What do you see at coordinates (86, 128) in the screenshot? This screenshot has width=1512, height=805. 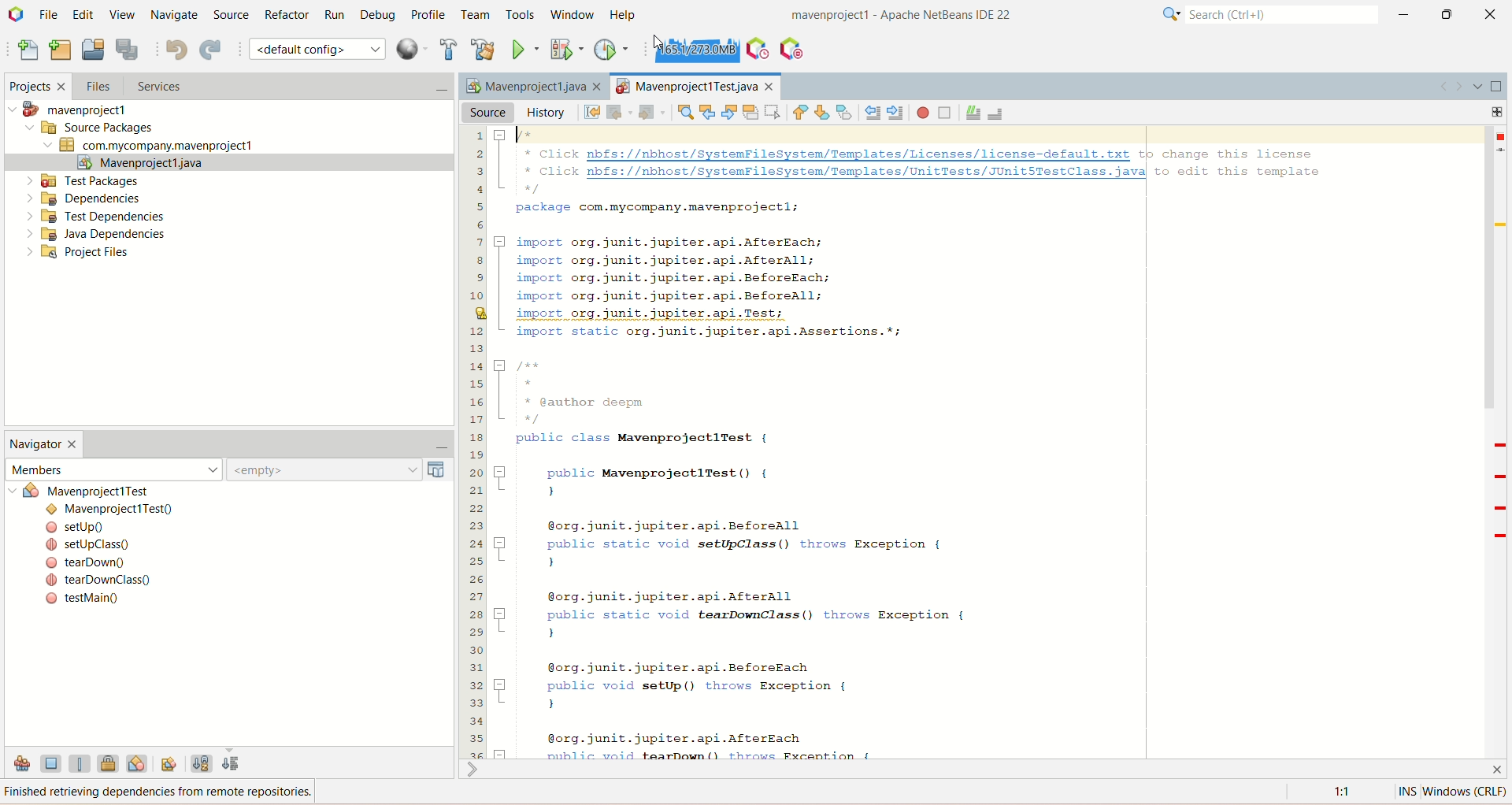 I see `source package` at bounding box center [86, 128].